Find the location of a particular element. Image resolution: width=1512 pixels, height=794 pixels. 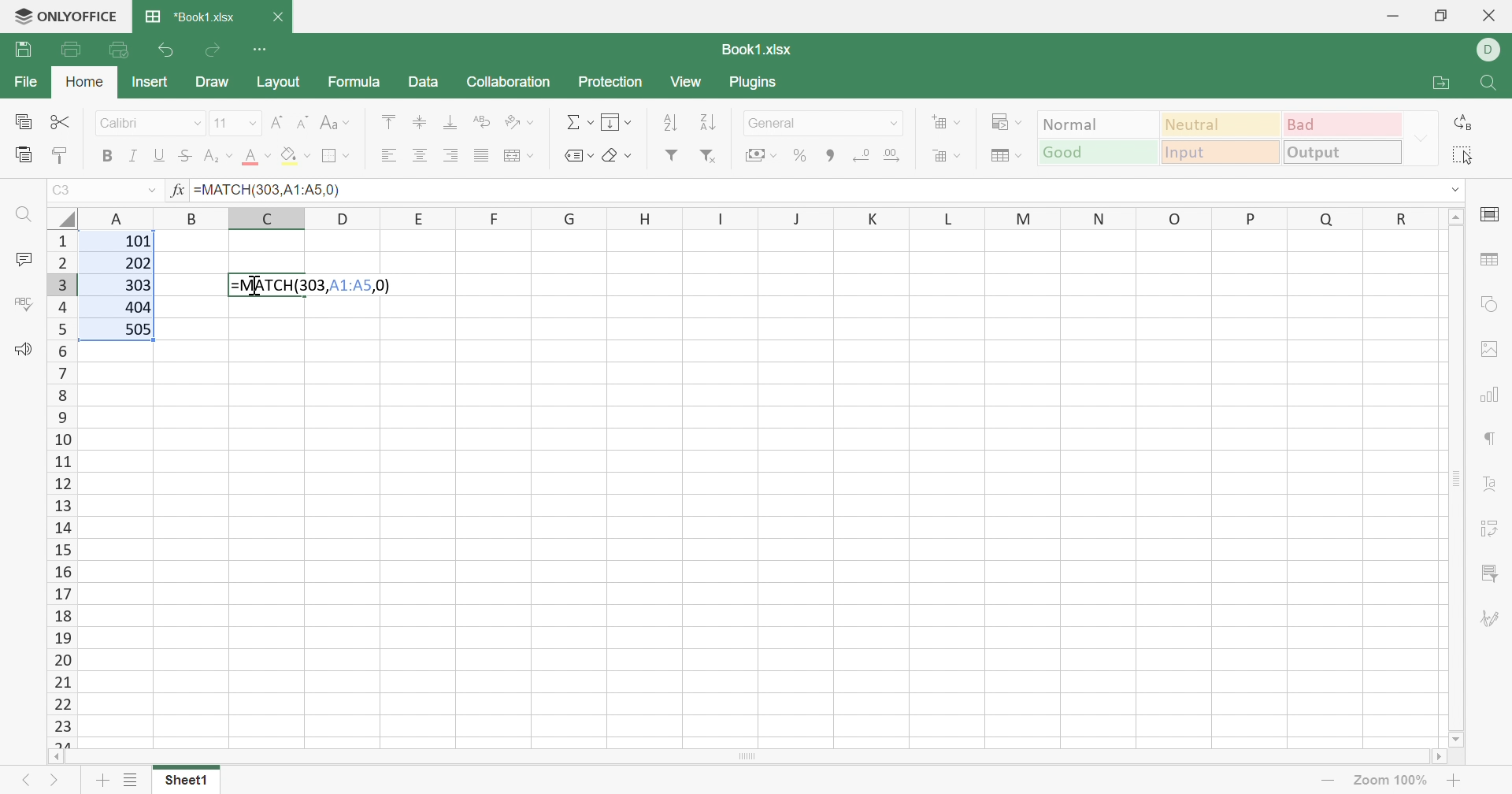

Remove Filter is located at coordinates (708, 157).